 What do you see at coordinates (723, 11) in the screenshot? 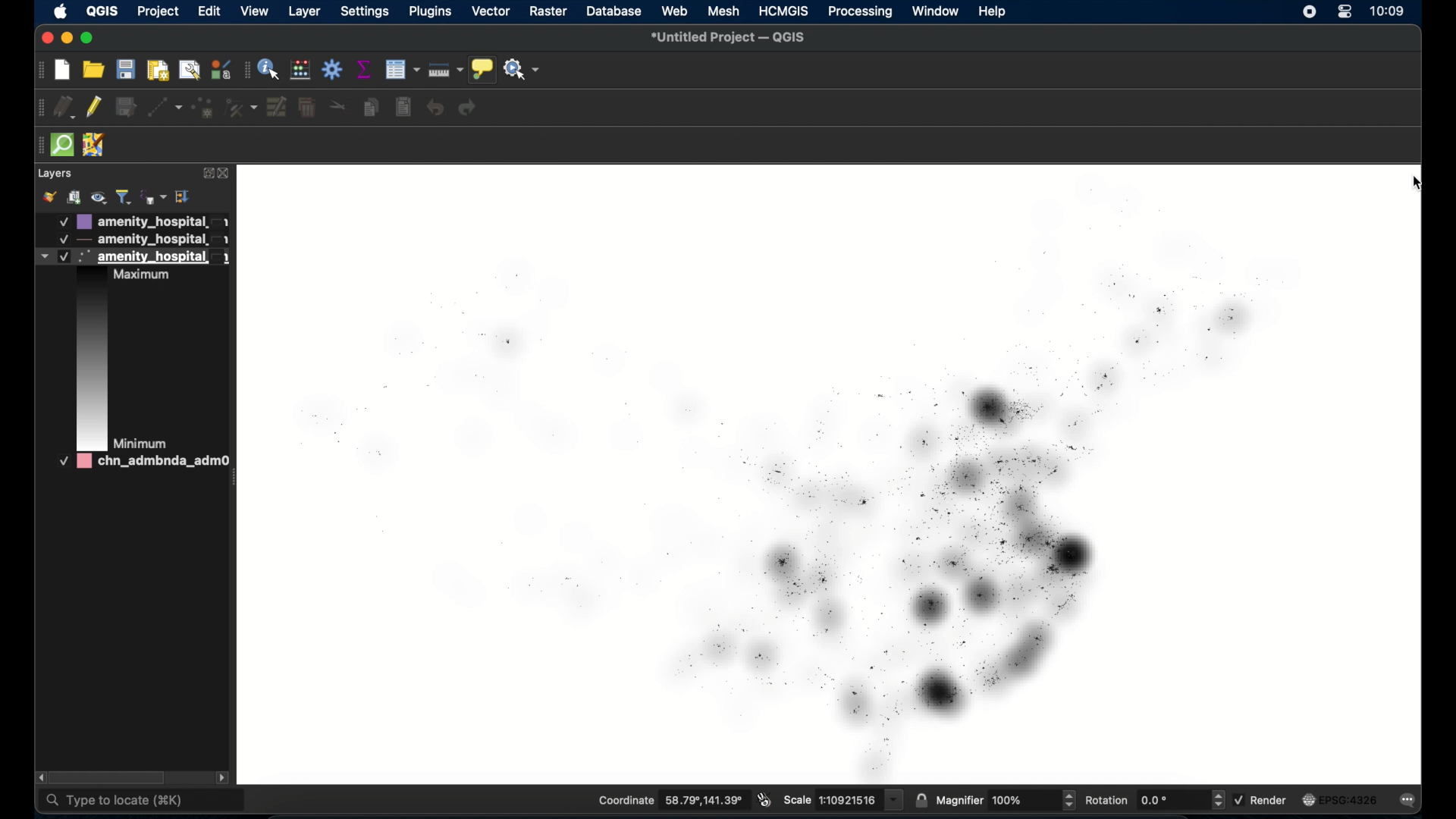
I see `mesh` at bounding box center [723, 11].